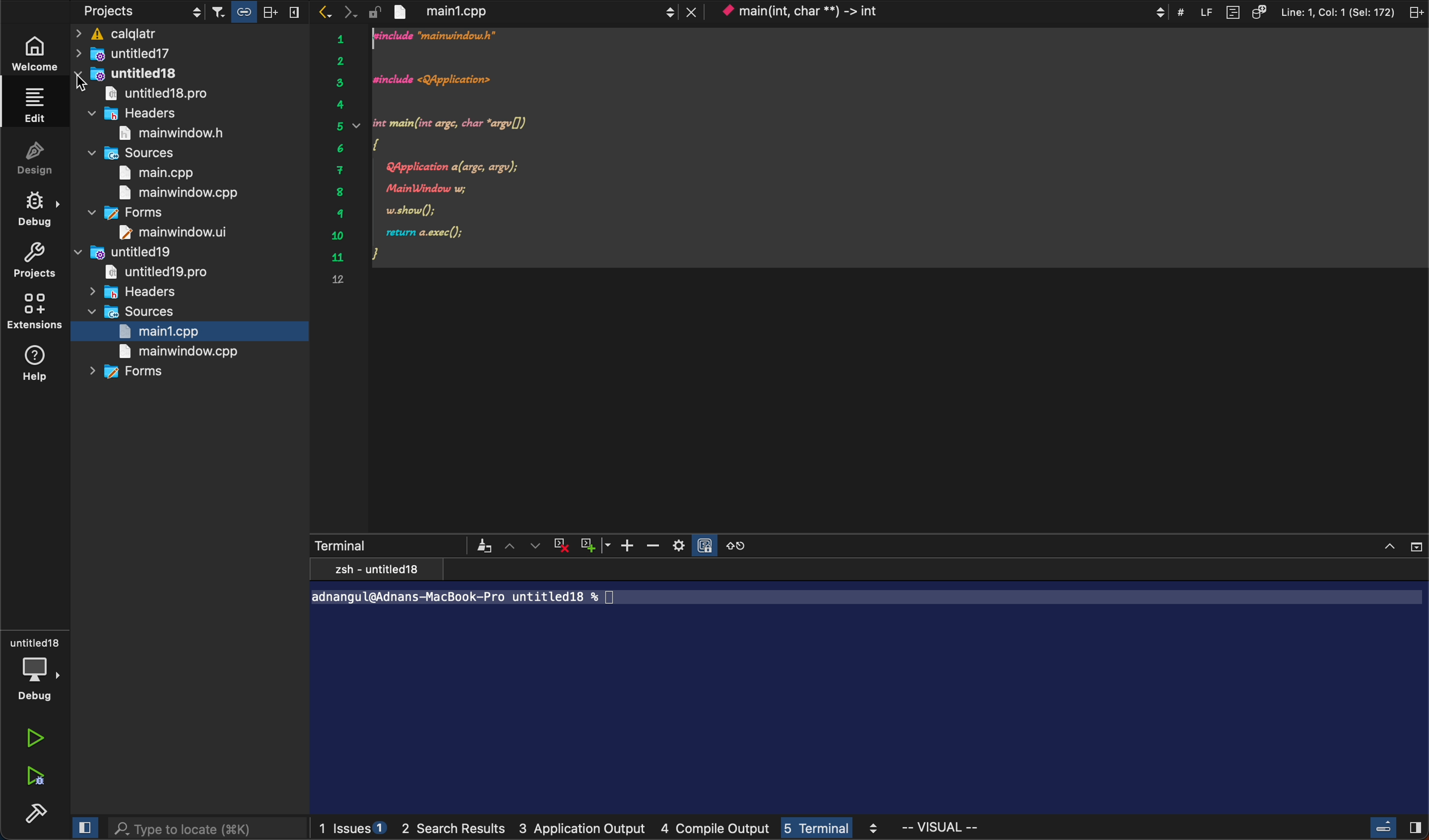 Image resolution: width=1429 pixels, height=840 pixels. Describe the element at coordinates (191, 134) in the screenshot. I see `main window` at that location.